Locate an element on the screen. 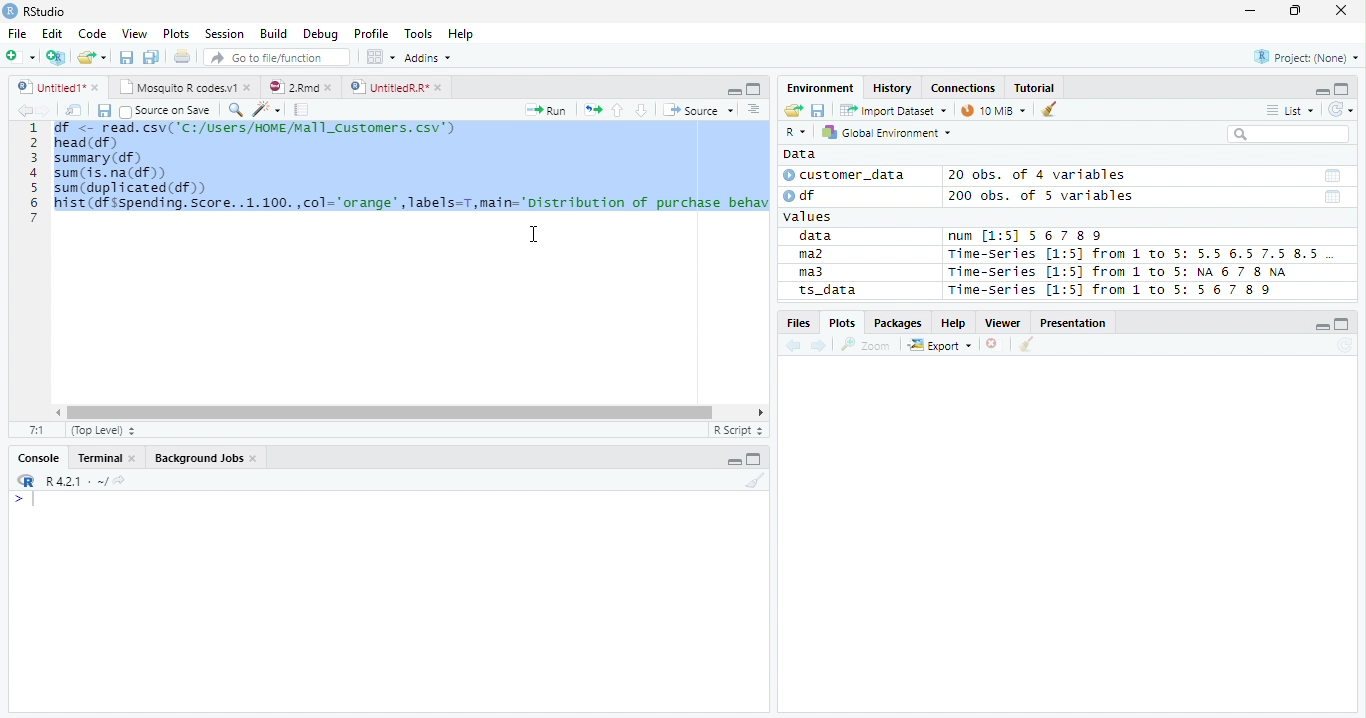 This screenshot has width=1366, height=718. Previous is located at coordinates (22, 110).